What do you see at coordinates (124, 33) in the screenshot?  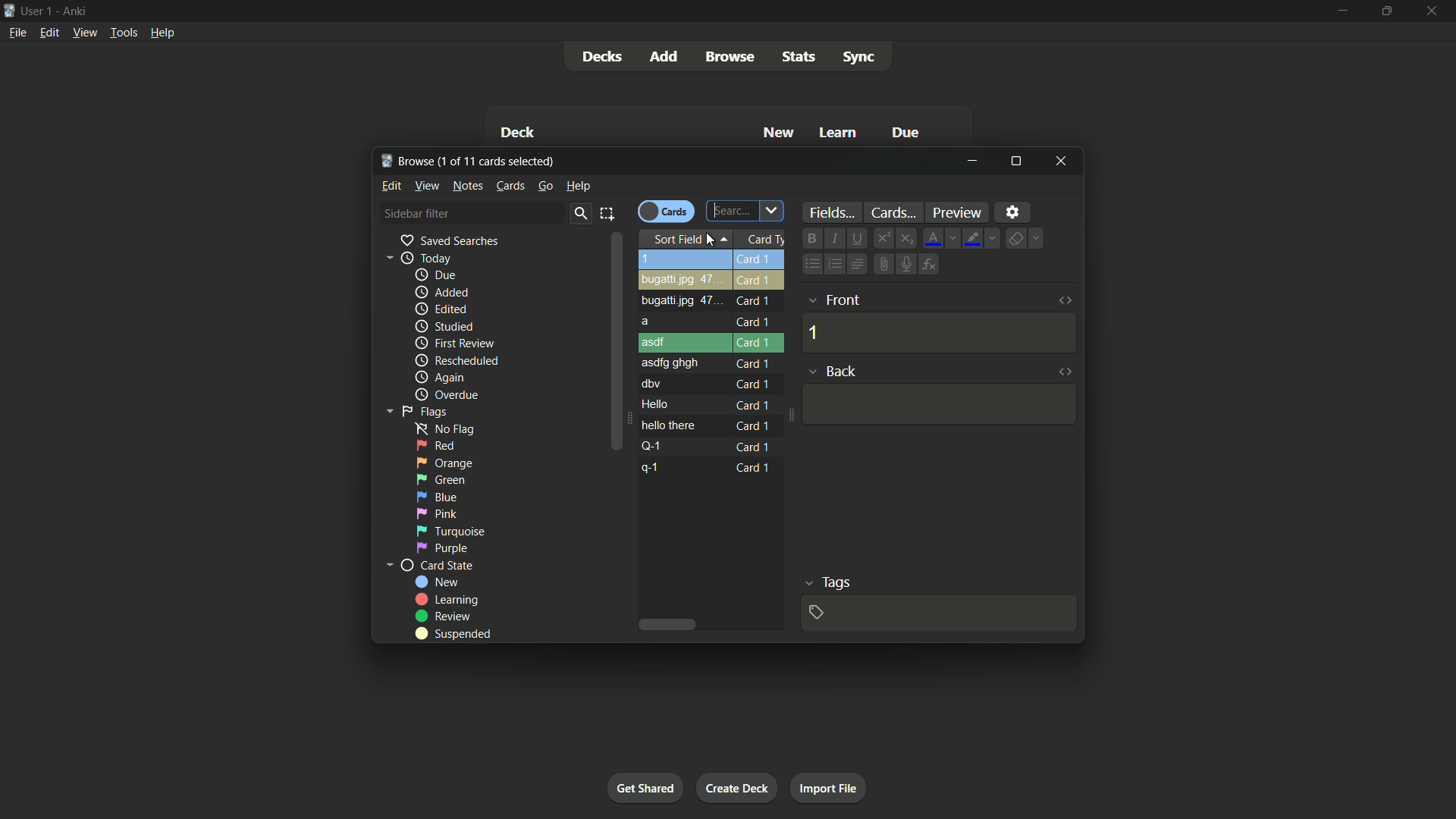 I see `tools menu` at bounding box center [124, 33].